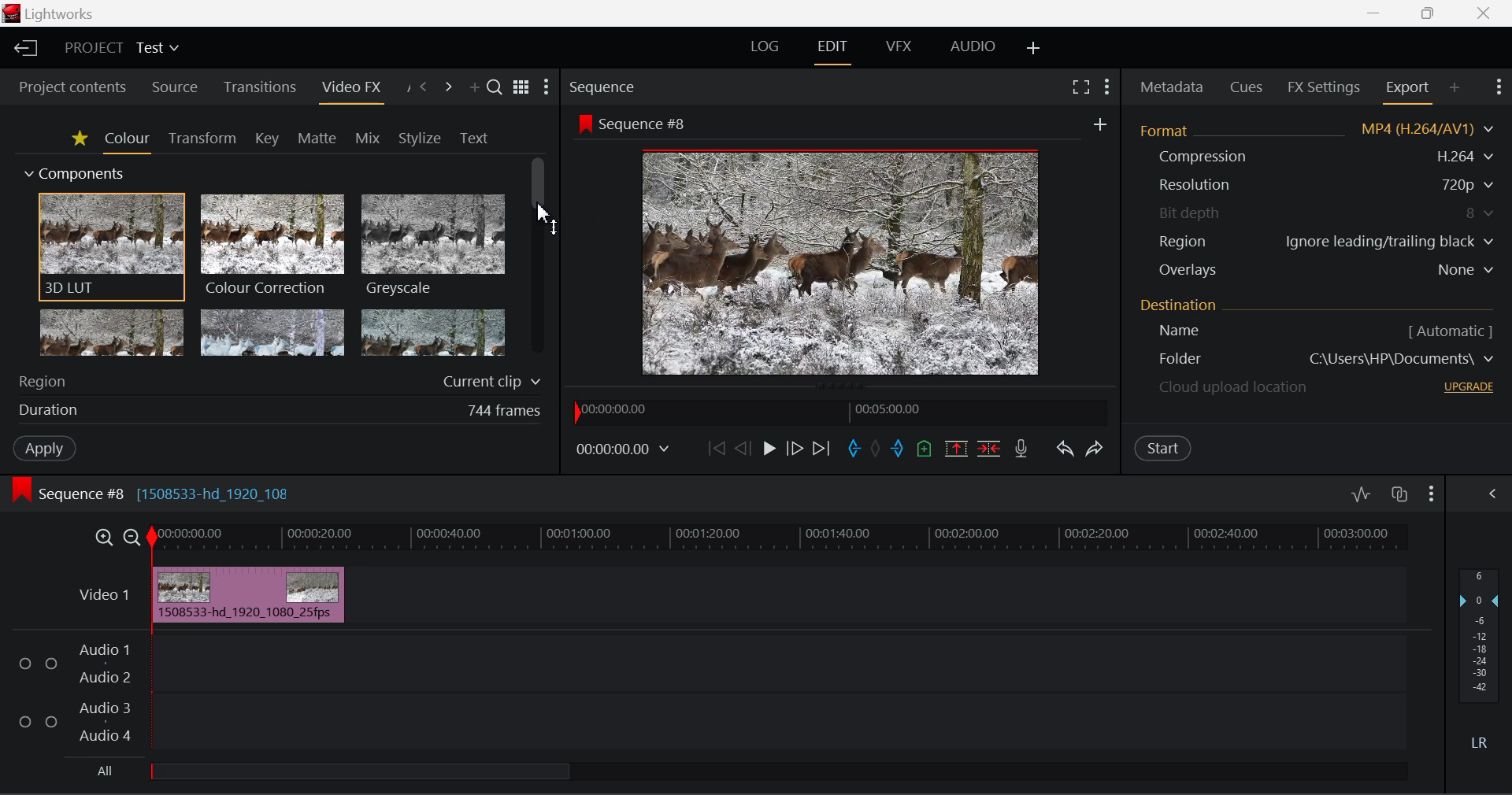 This screenshot has width=1512, height=795. I want to click on Toggle auto track sync, so click(1399, 494).